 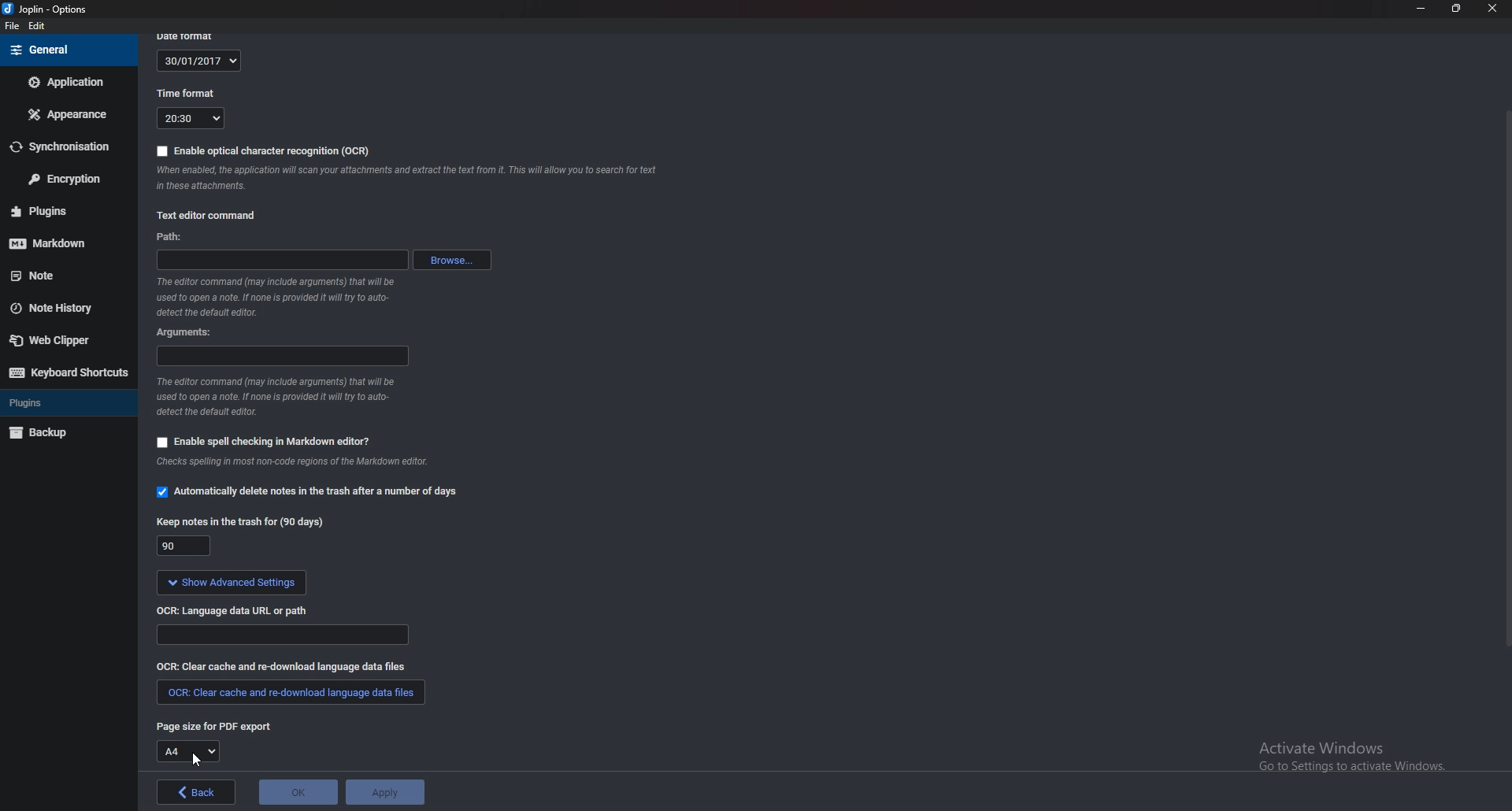 What do you see at coordinates (1421, 10) in the screenshot?
I see `minimize` at bounding box center [1421, 10].